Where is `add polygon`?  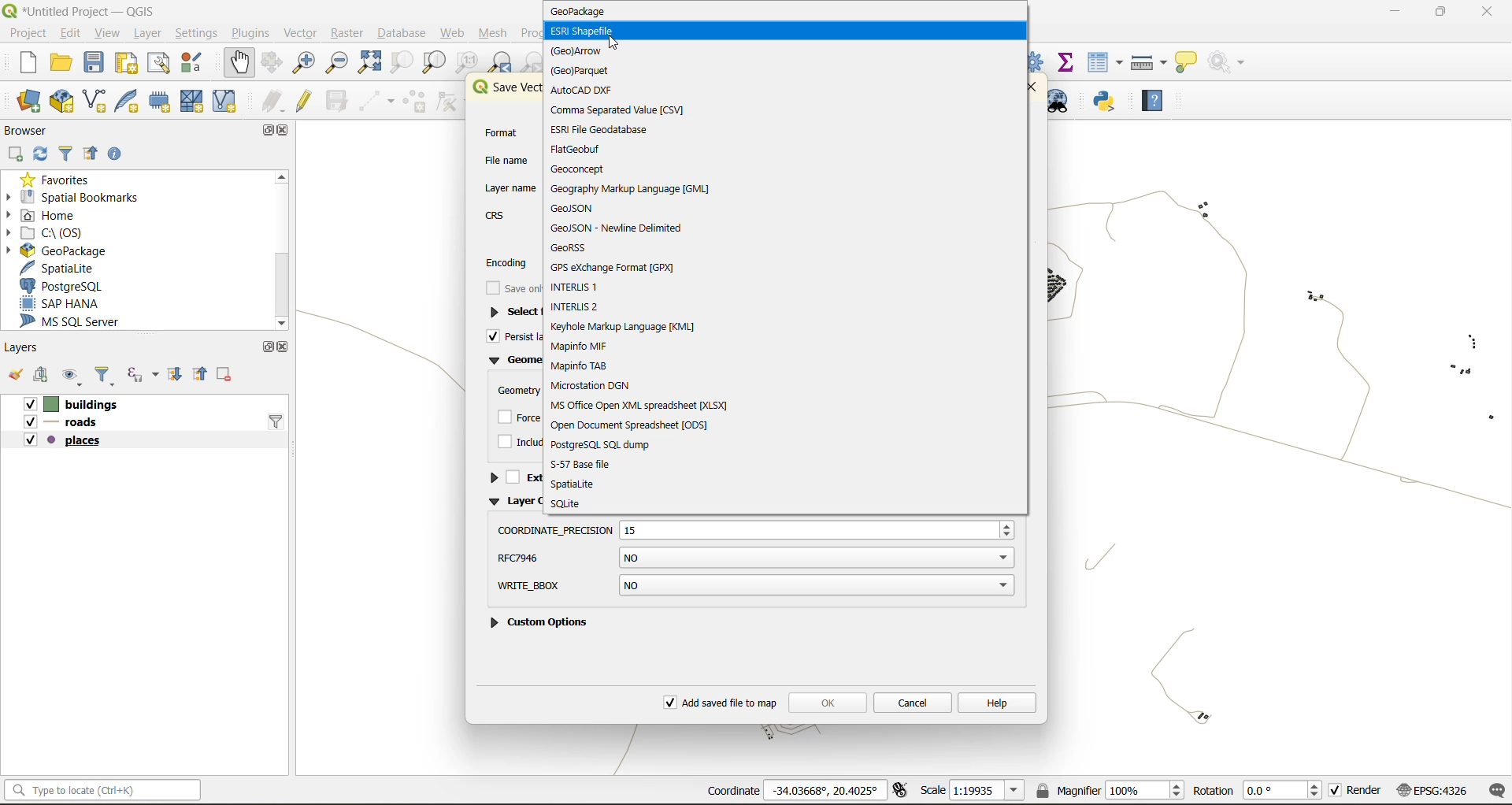
add polygon is located at coordinates (416, 102).